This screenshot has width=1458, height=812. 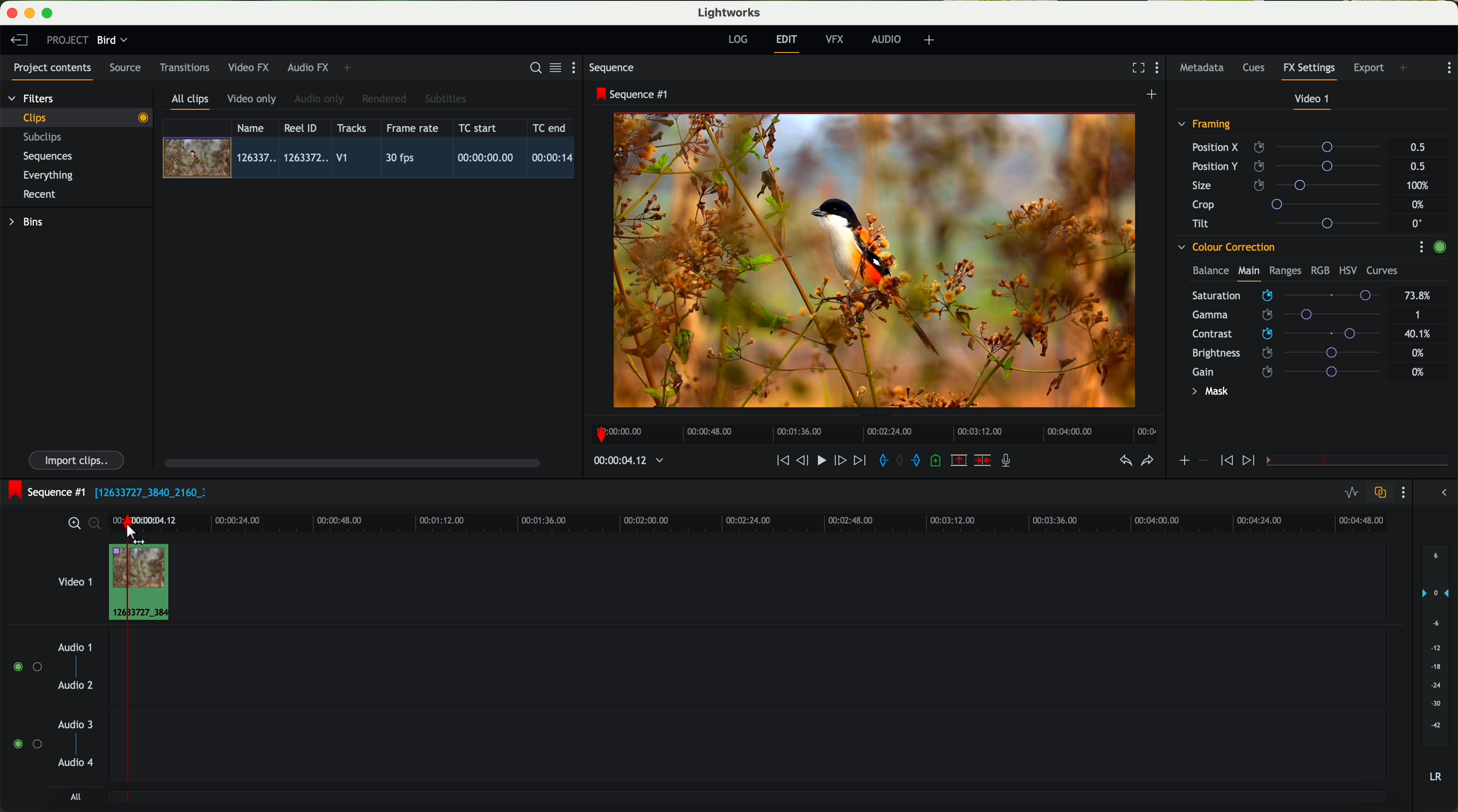 What do you see at coordinates (350, 68) in the screenshot?
I see `add panel` at bounding box center [350, 68].